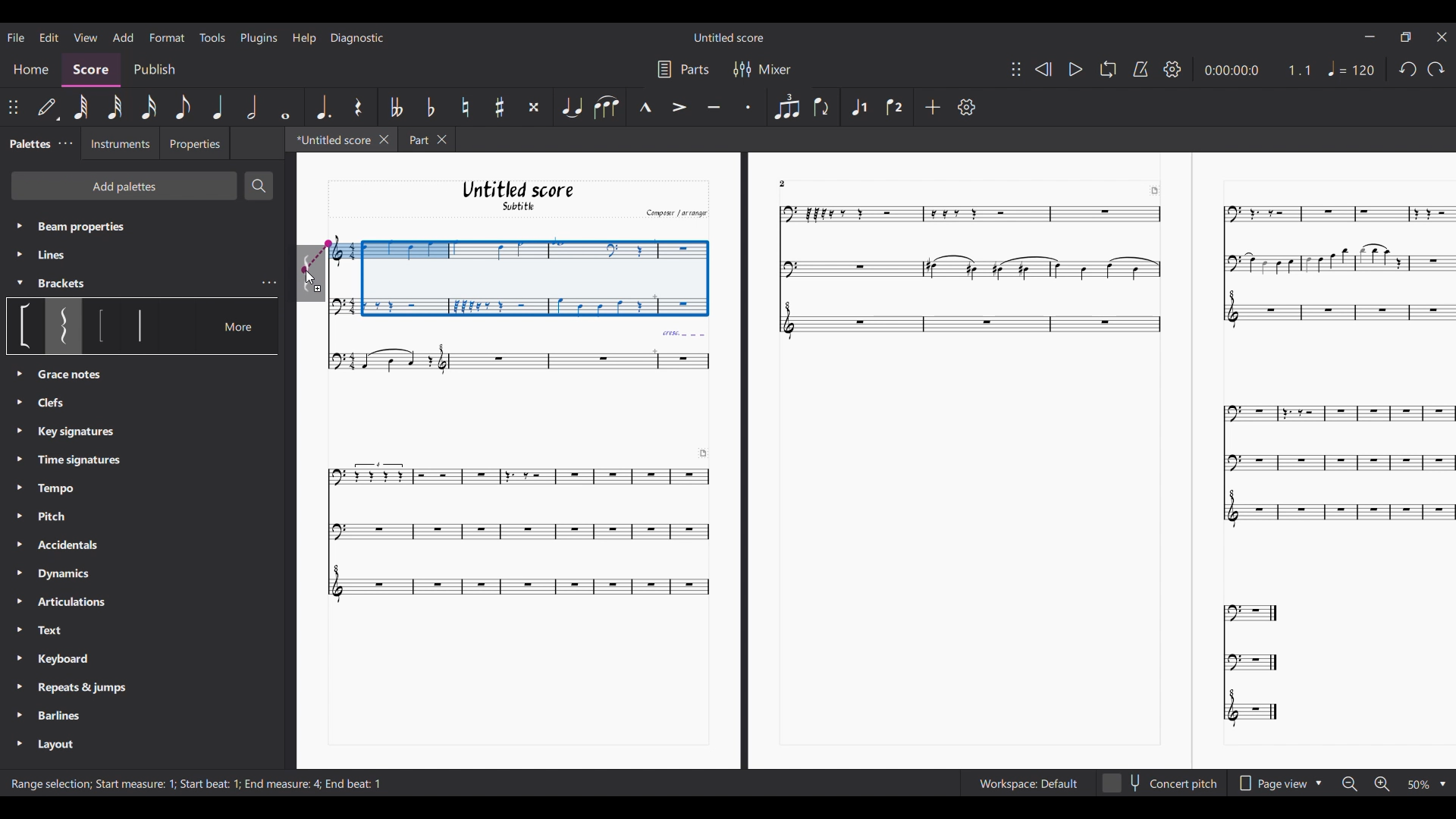  What do you see at coordinates (1141, 69) in the screenshot?
I see `Metronome` at bounding box center [1141, 69].